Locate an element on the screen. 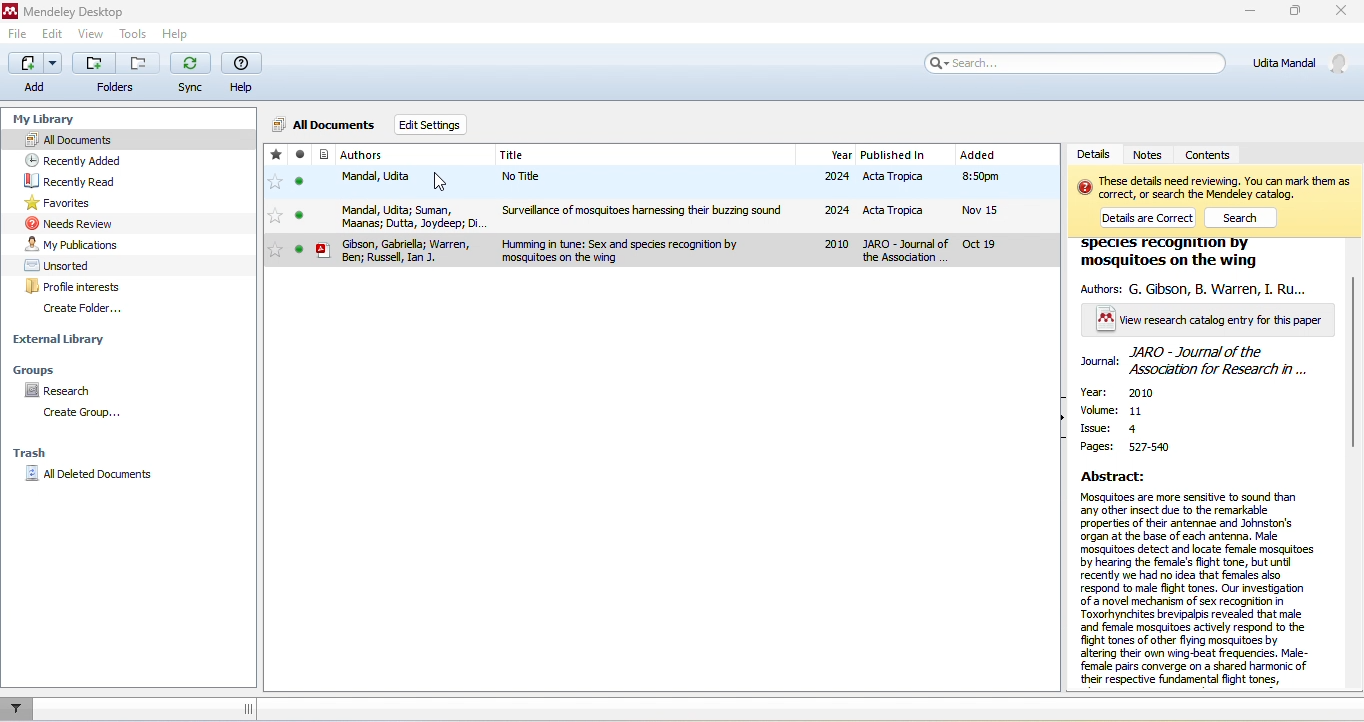 The height and width of the screenshot is (722, 1364). remove is located at coordinates (138, 62).